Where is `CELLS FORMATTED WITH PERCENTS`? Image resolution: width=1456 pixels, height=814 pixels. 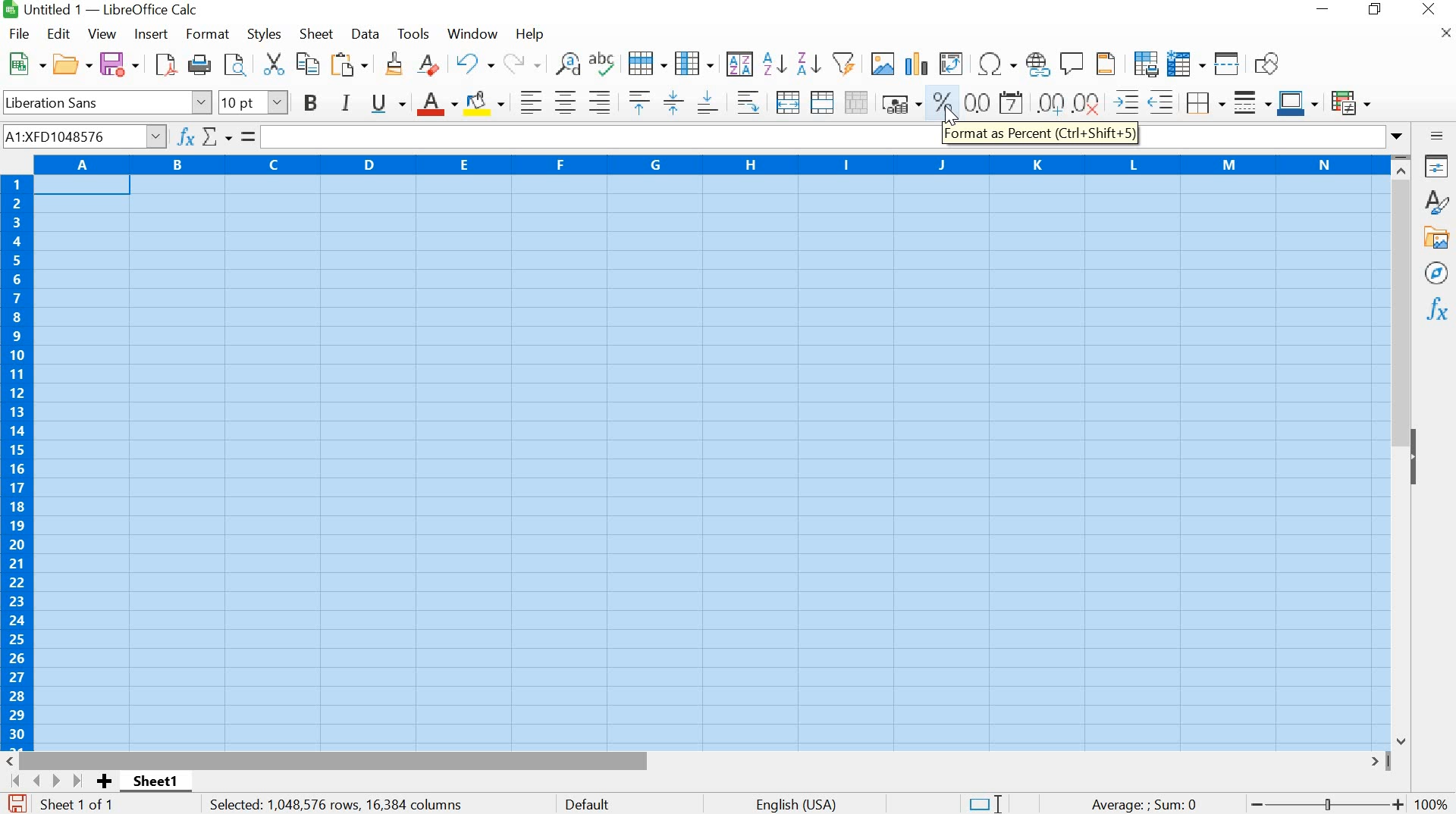
CELLS FORMATTED WITH PERCENTS is located at coordinates (709, 464).